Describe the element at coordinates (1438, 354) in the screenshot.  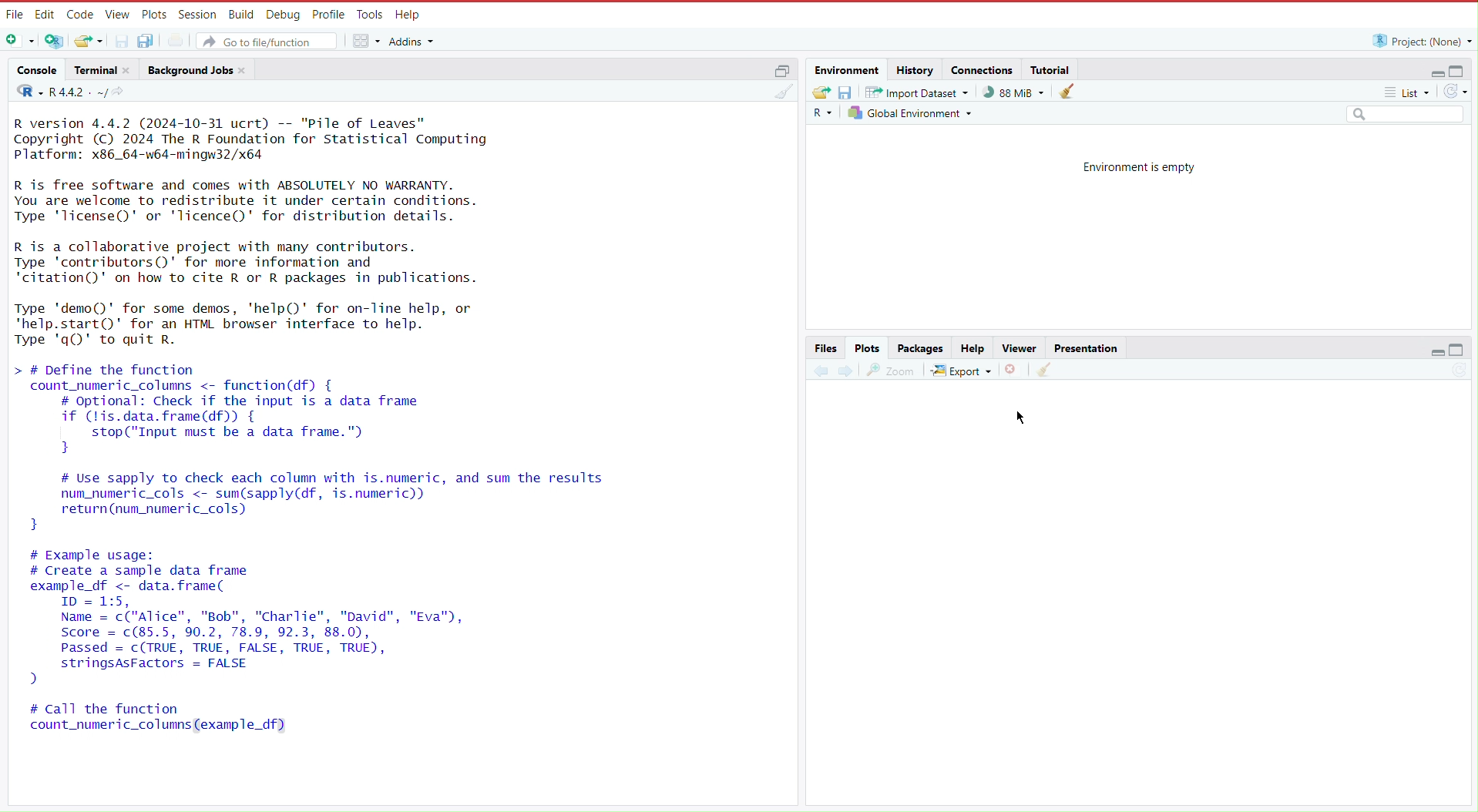
I see `Minimize` at that location.